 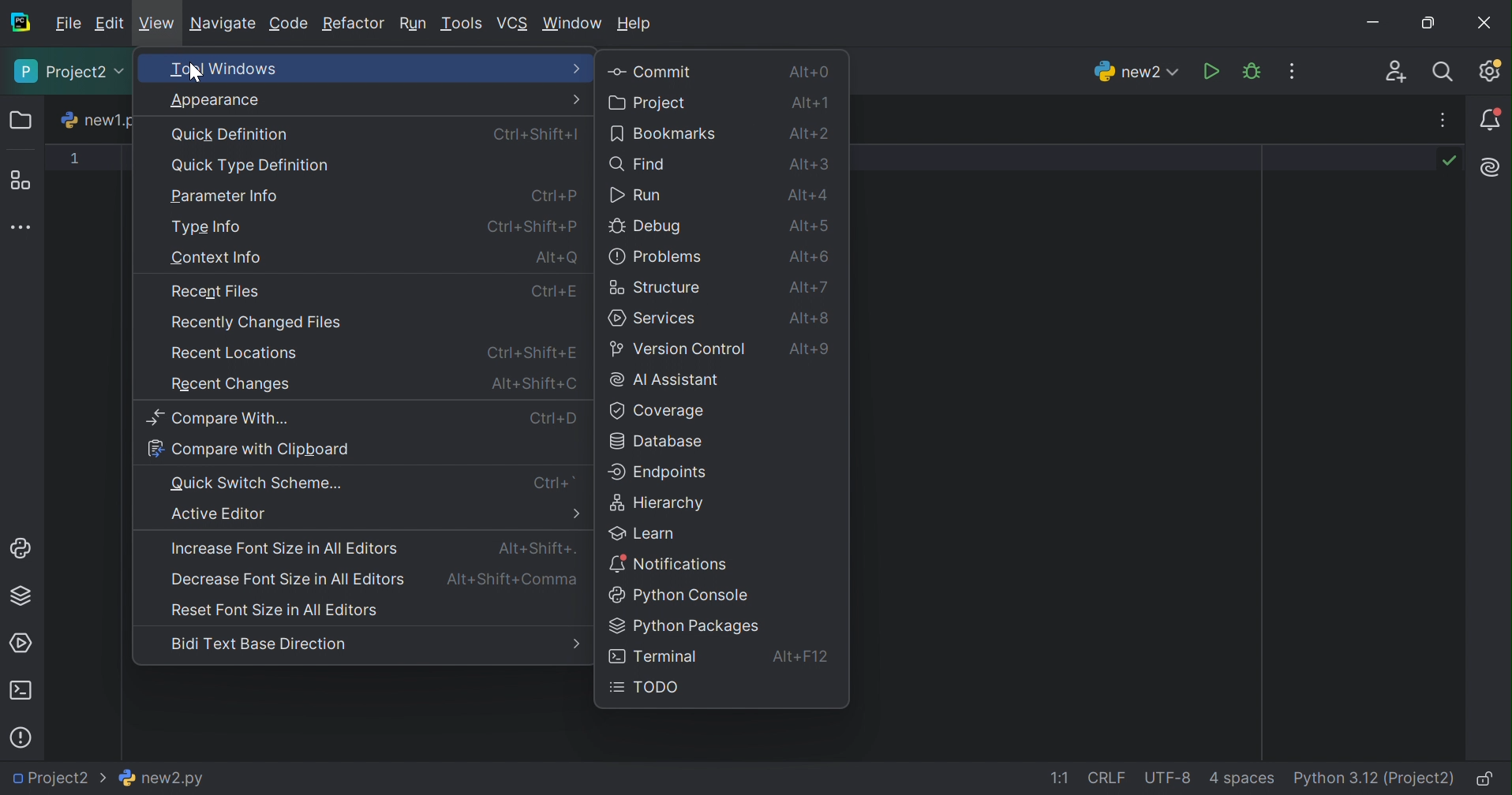 I want to click on Structure, so click(x=653, y=289).